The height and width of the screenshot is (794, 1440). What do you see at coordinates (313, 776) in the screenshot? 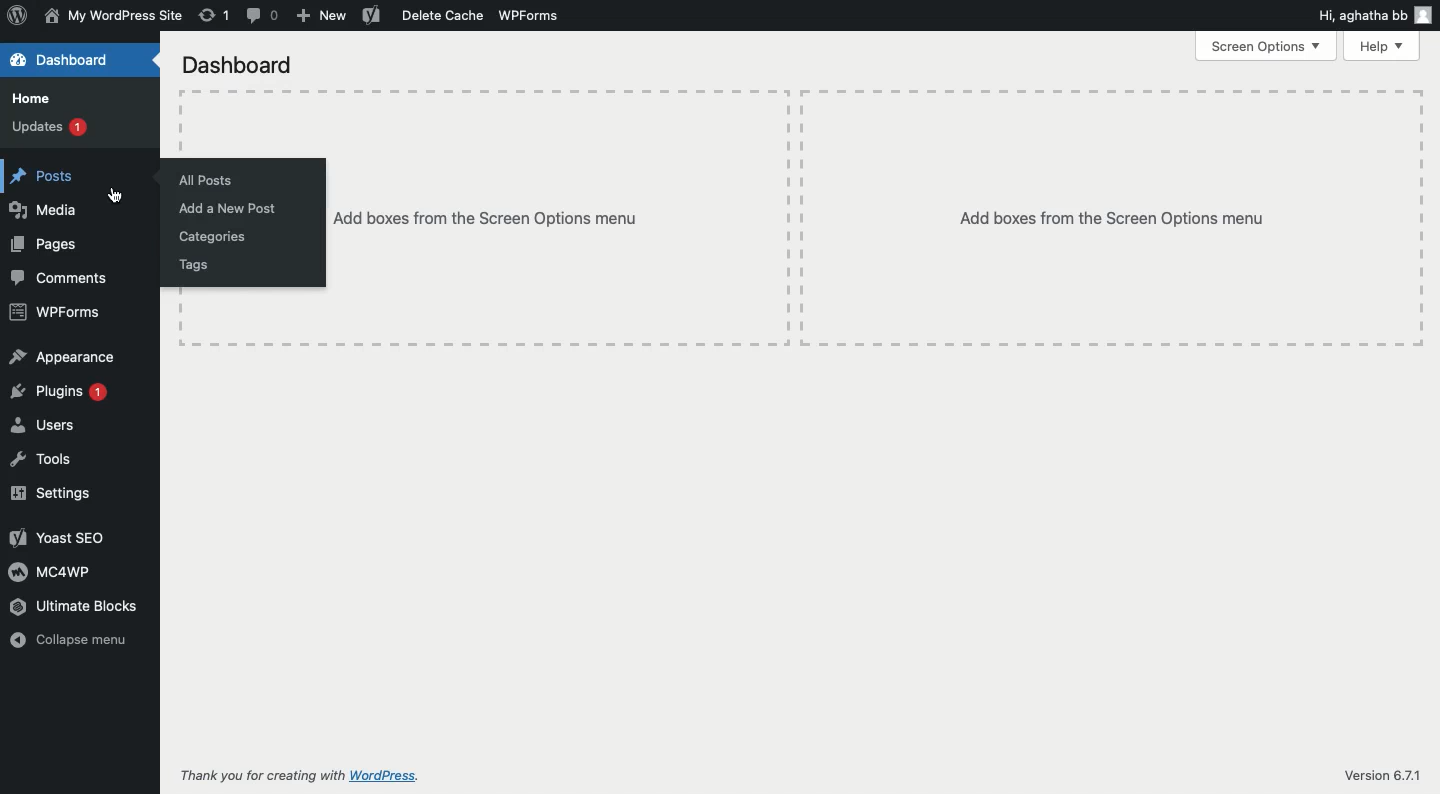
I see `Thank you for creating with WordPress` at bounding box center [313, 776].